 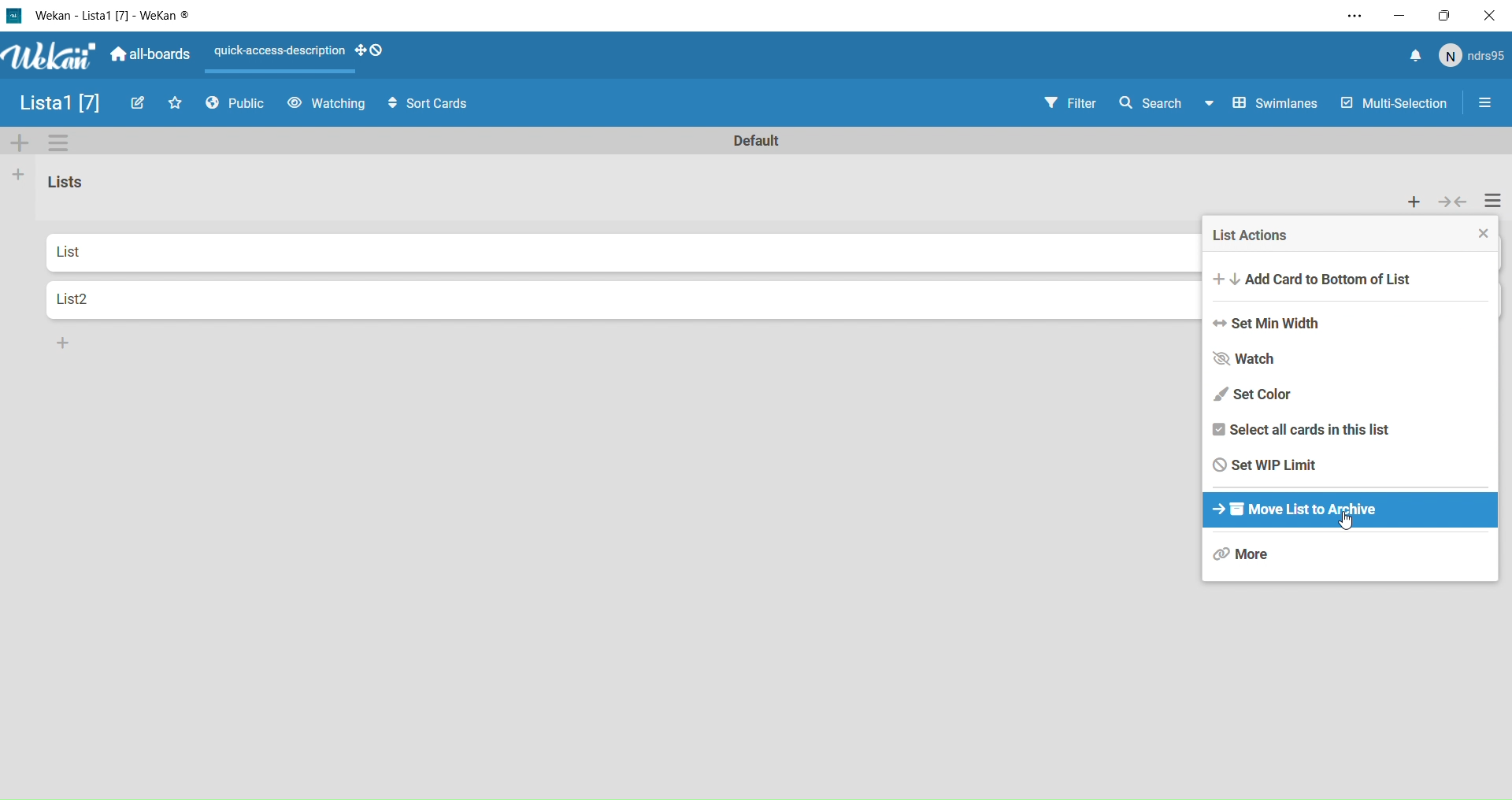 I want to click on Layout actions, so click(x=276, y=52).